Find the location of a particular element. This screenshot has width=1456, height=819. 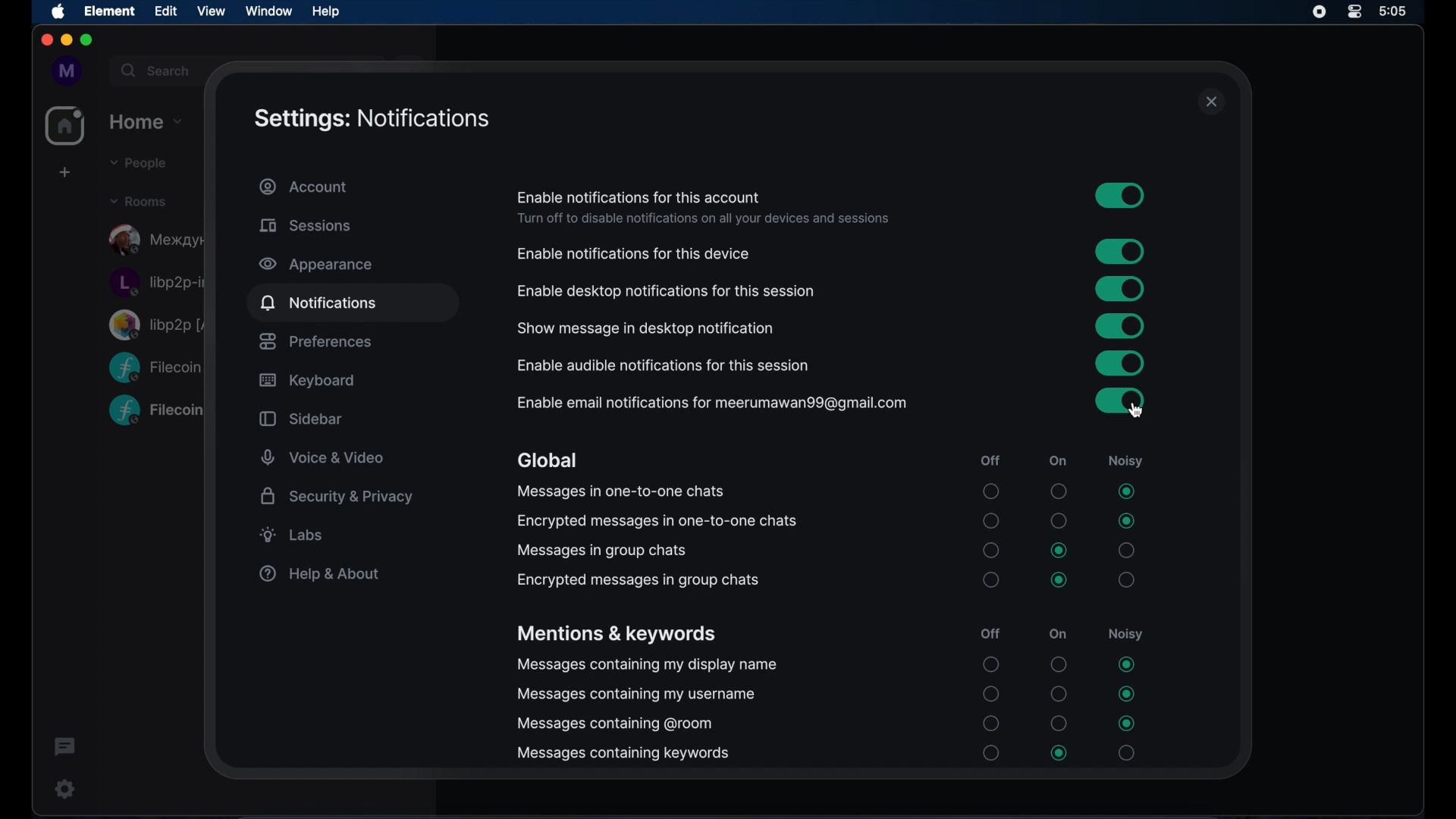

show message in desktop notification is located at coordinates (646, 329).